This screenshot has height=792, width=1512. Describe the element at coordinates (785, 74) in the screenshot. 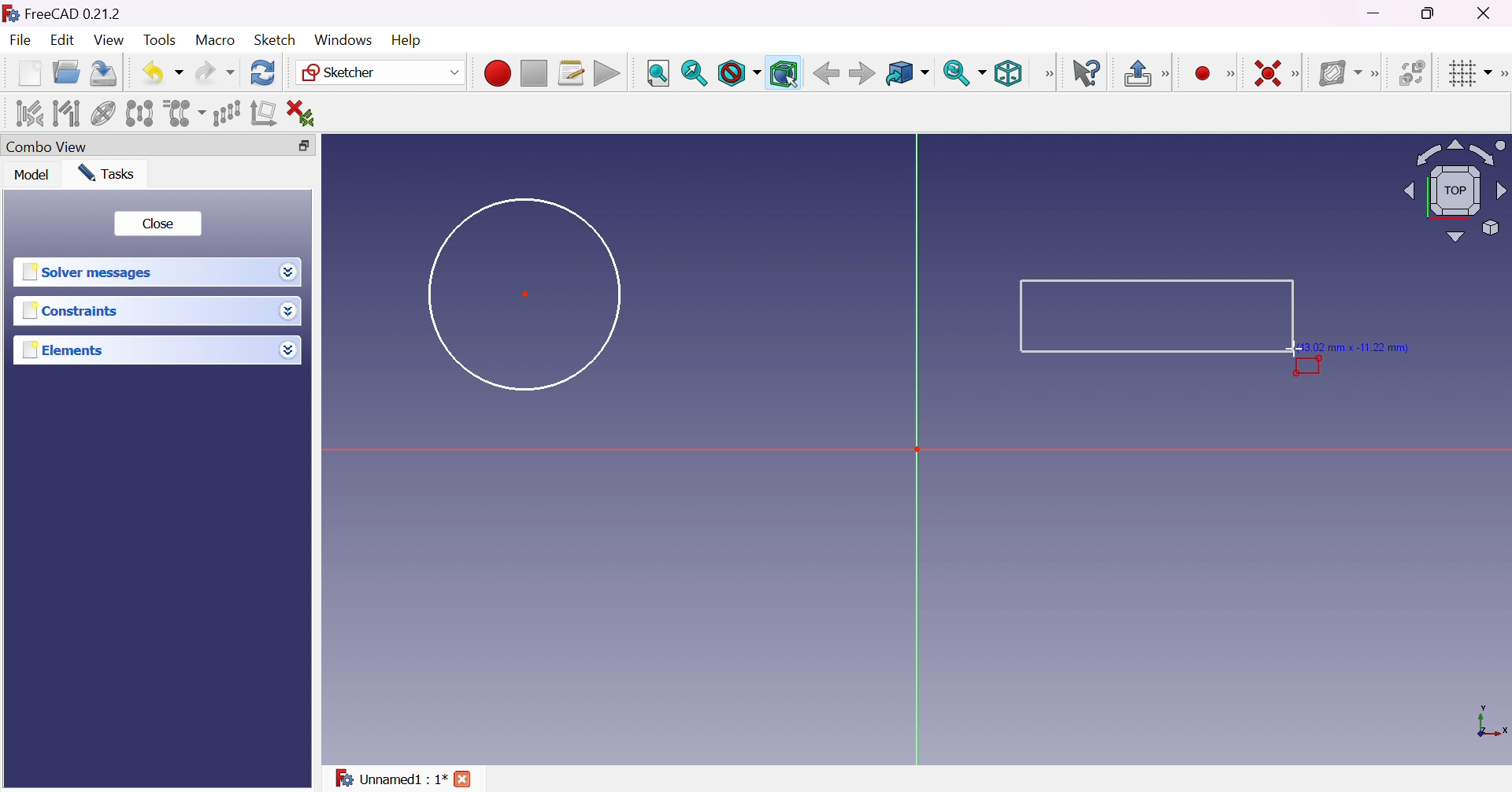

I see `Bounding box` at that location.